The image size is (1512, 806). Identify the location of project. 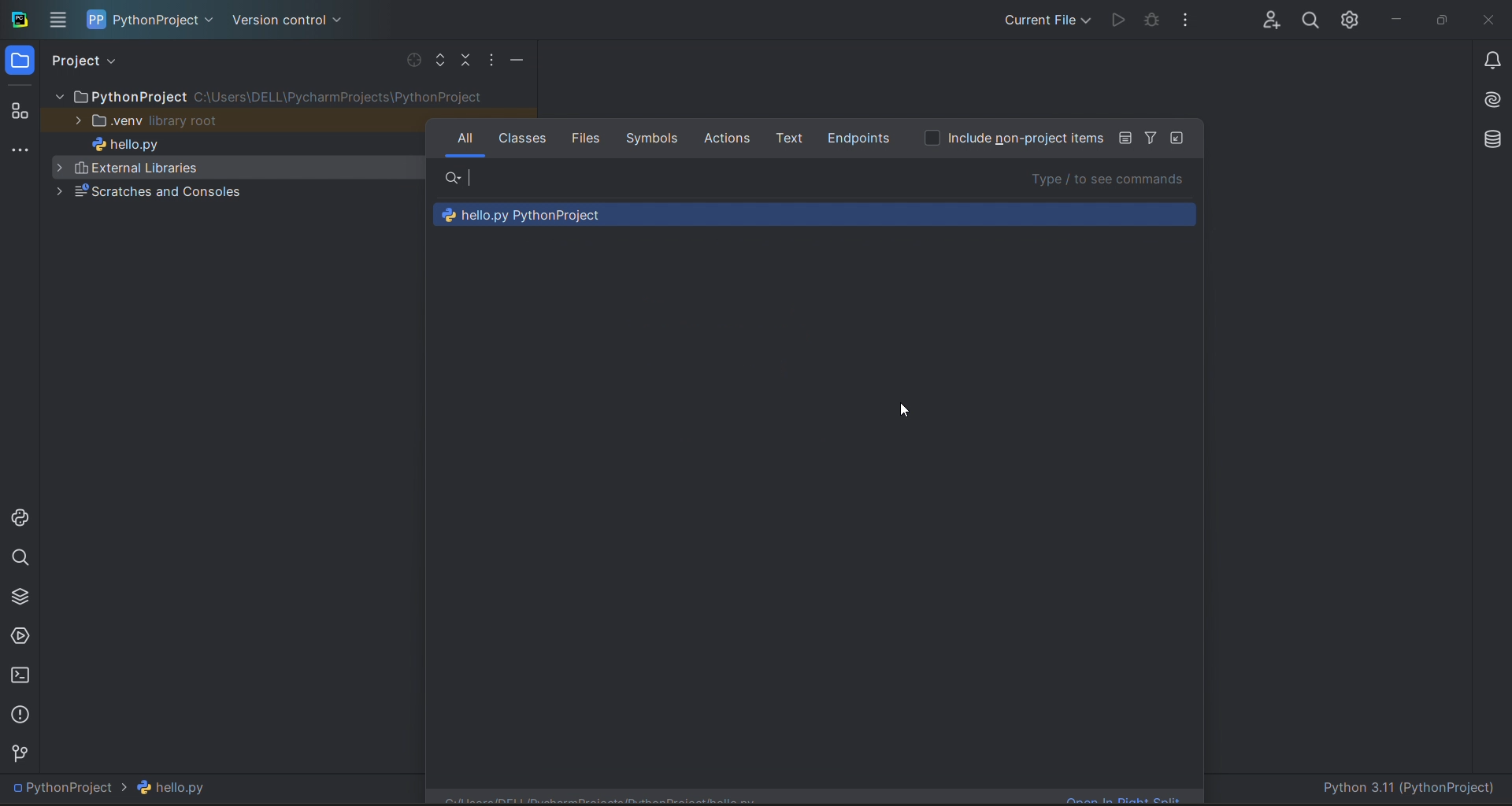
(150, 20).